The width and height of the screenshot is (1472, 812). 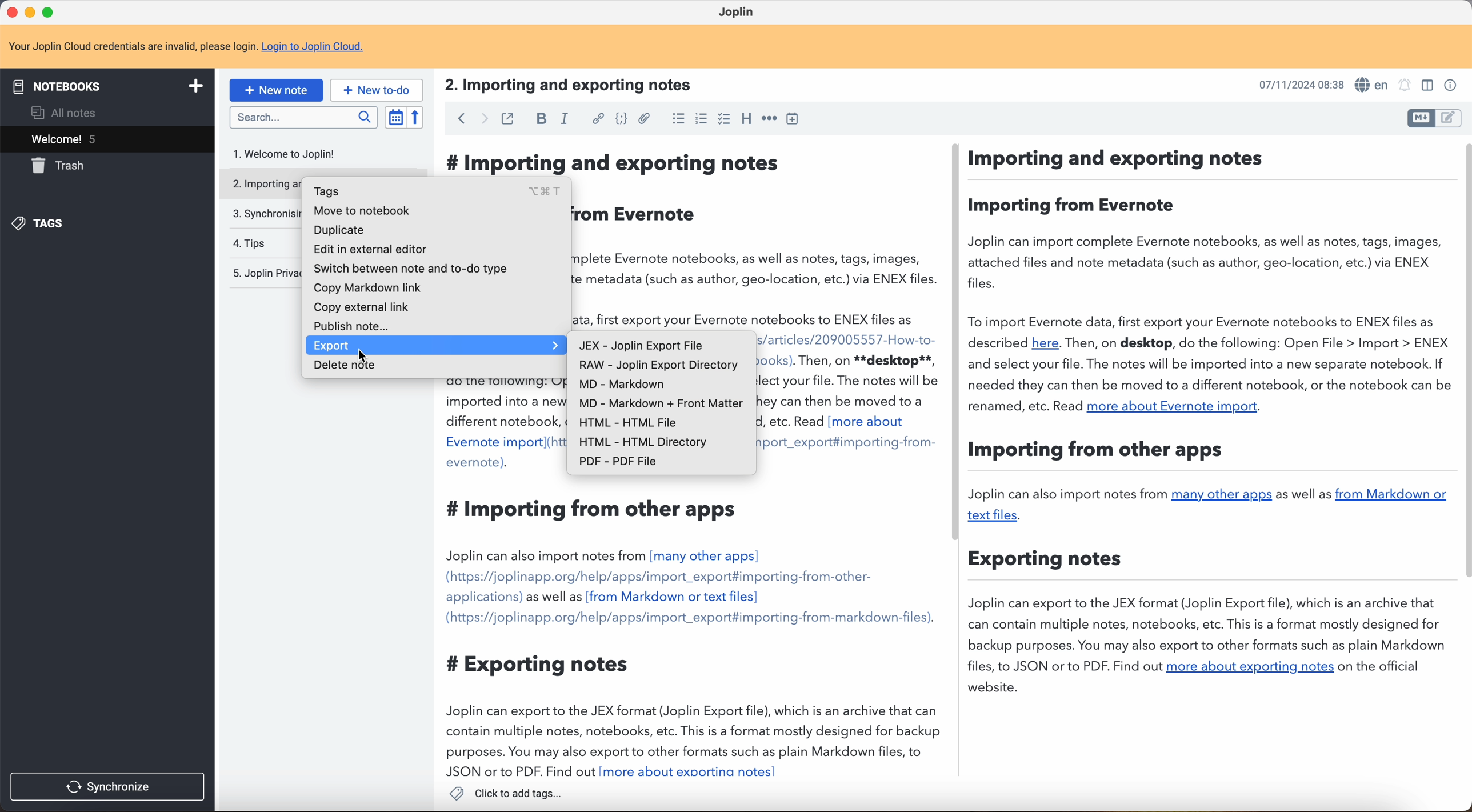 I want to click on synchronising your notes, so click(x=261, y=214).